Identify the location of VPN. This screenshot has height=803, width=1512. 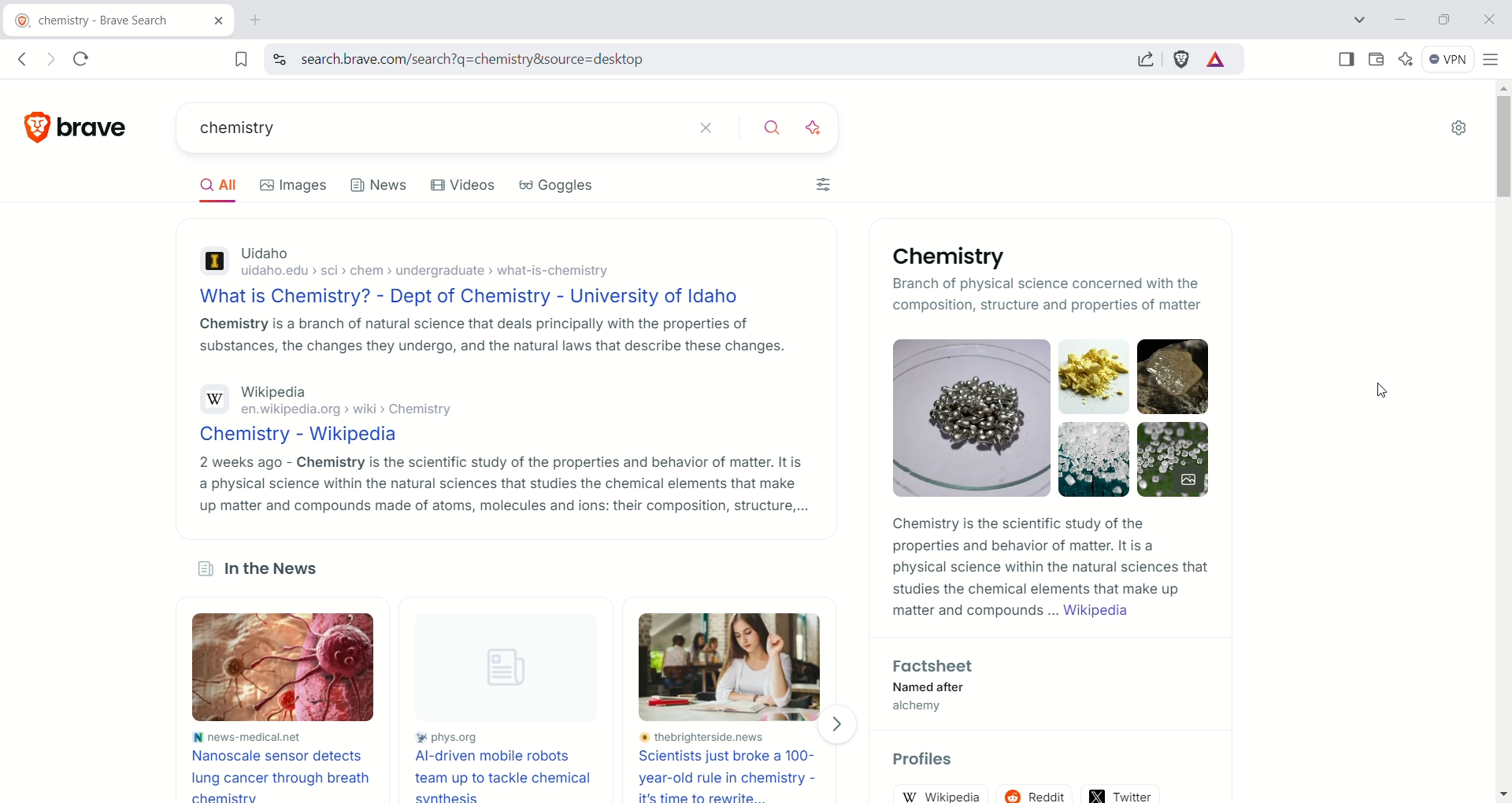
(1444, 57).